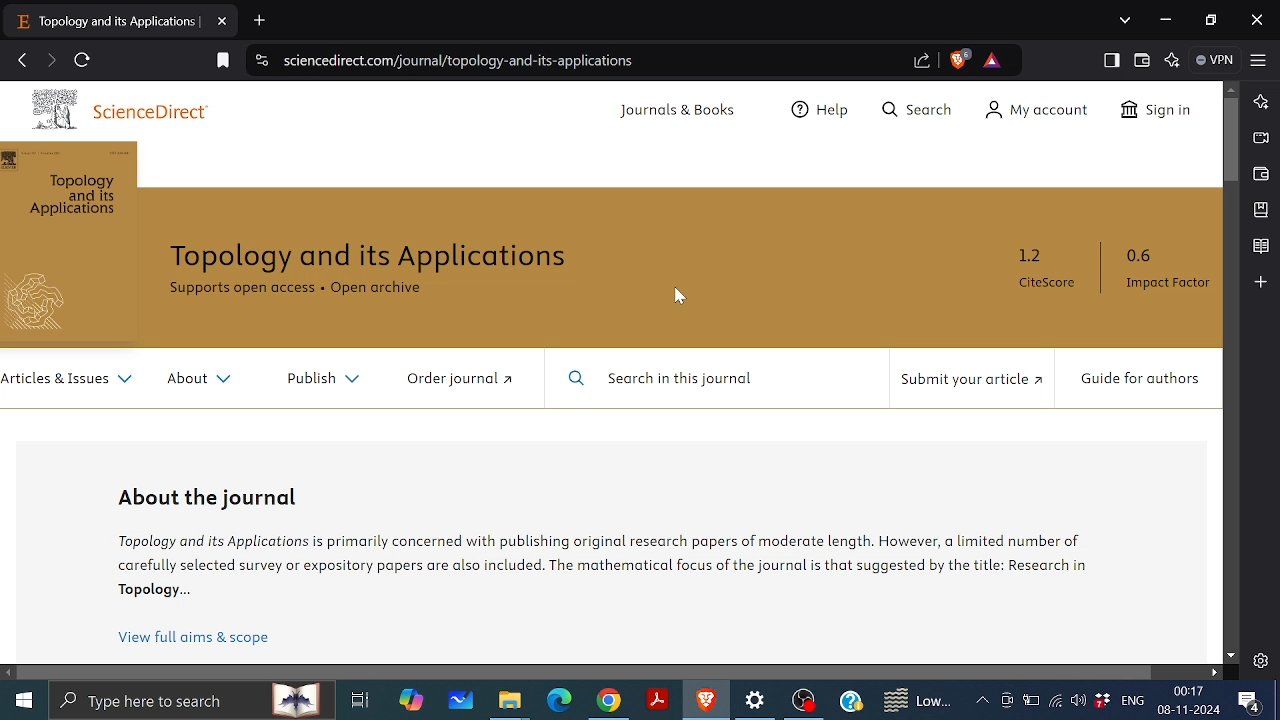  Describe the element at coordinates (1101, 701) in the screenshot. I see `Dropbox` at that location.